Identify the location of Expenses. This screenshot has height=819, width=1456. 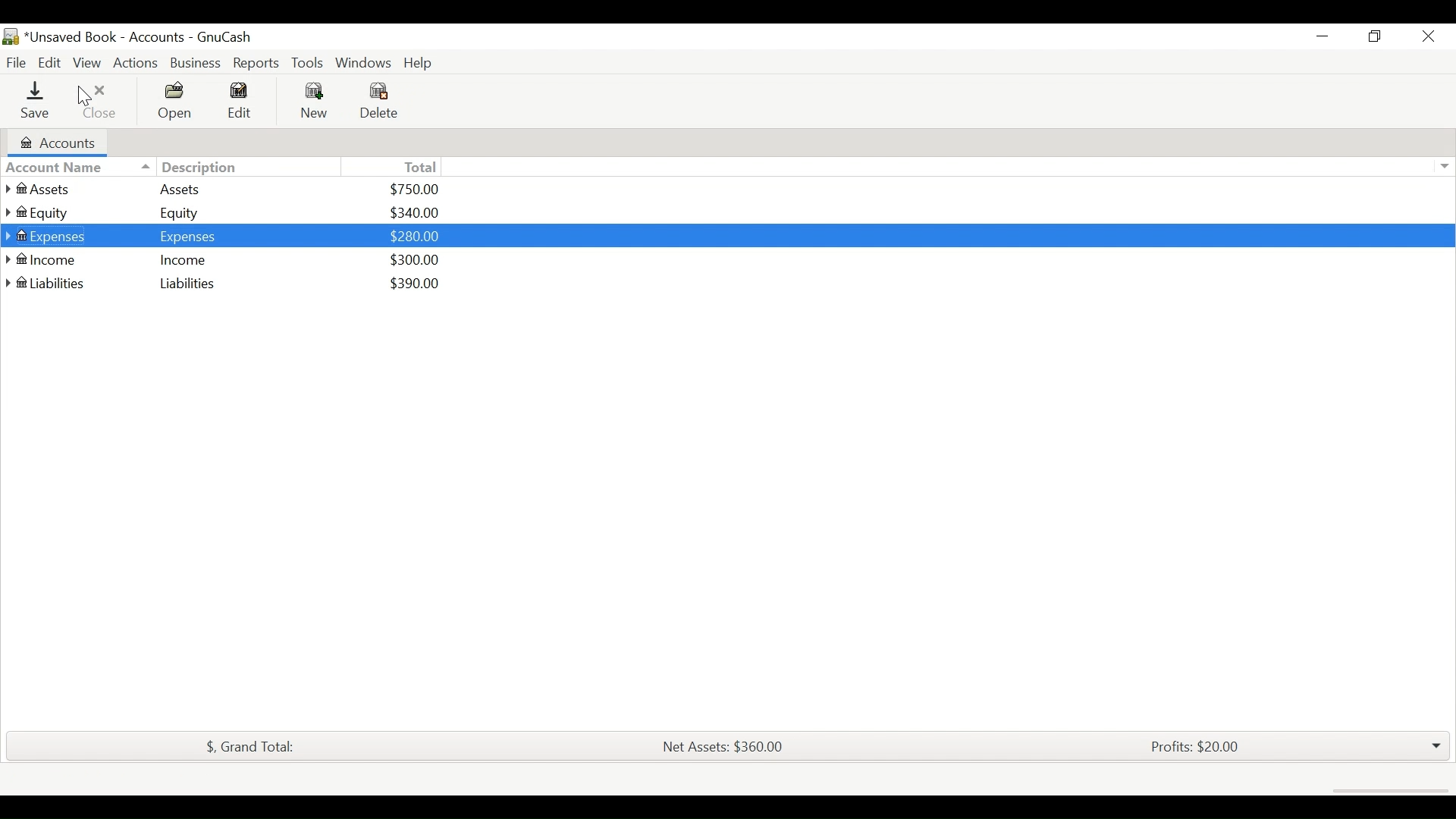
(192, 236).